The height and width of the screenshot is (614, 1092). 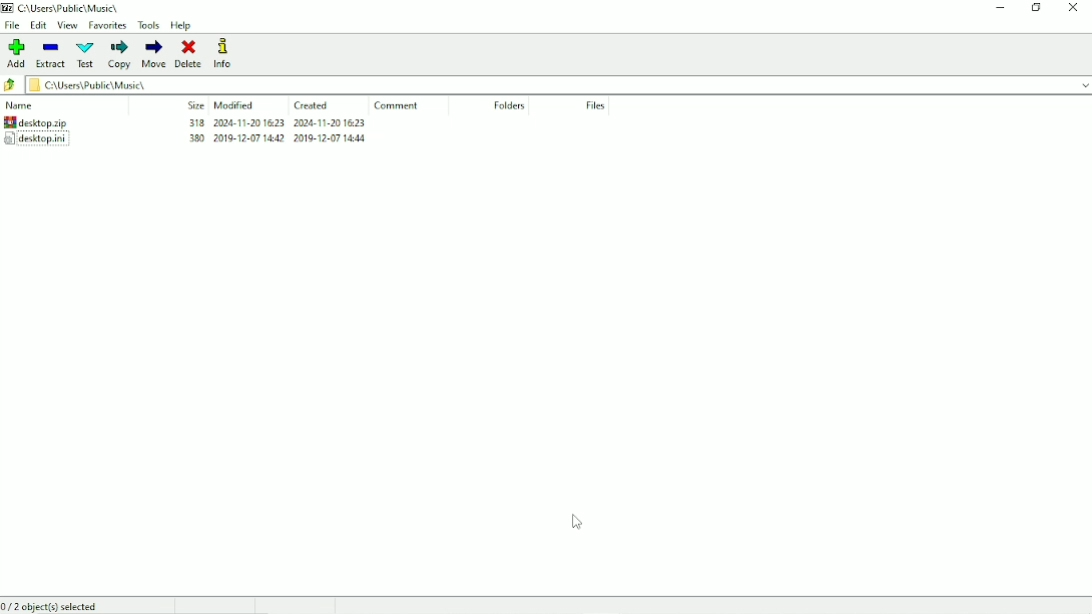 I want to click on Folders, so click(x=509, y=106).